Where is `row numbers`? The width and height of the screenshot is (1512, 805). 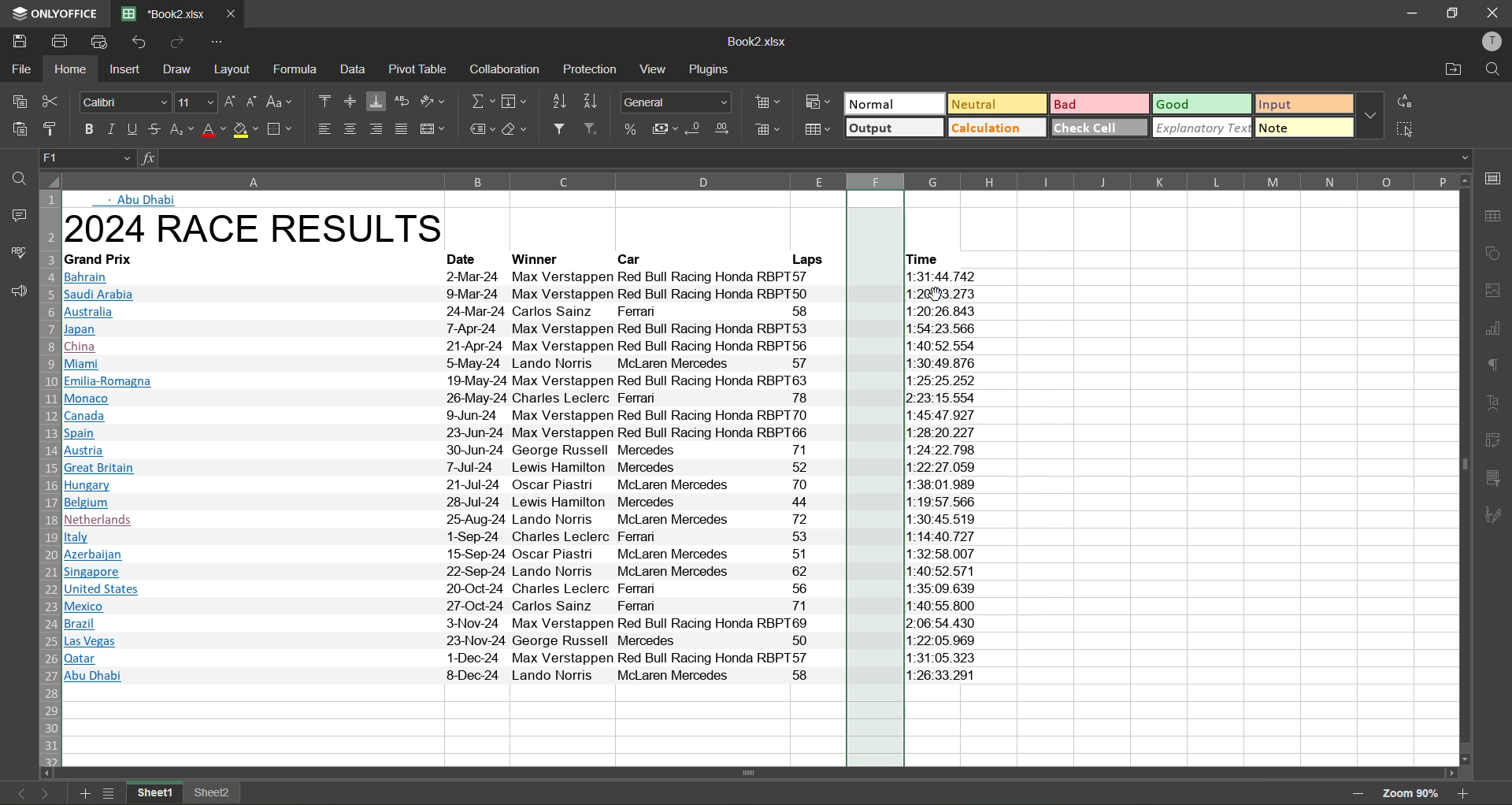
row numbers is located at coordinates (46, 476).